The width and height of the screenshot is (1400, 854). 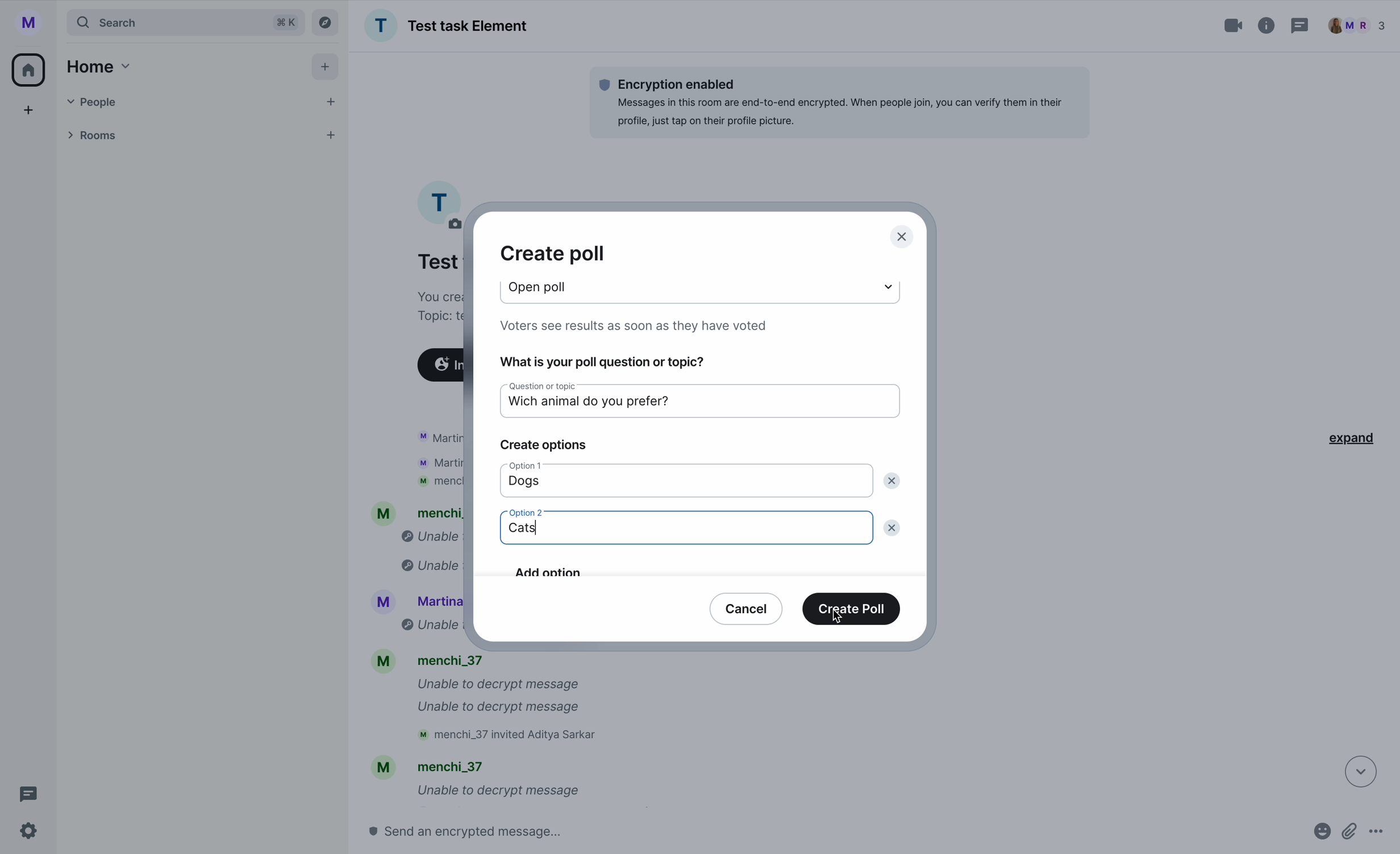 What do you see at coordinates (525, 531) in the screenshot?
I see `cats` at bounding box center [525, 531].